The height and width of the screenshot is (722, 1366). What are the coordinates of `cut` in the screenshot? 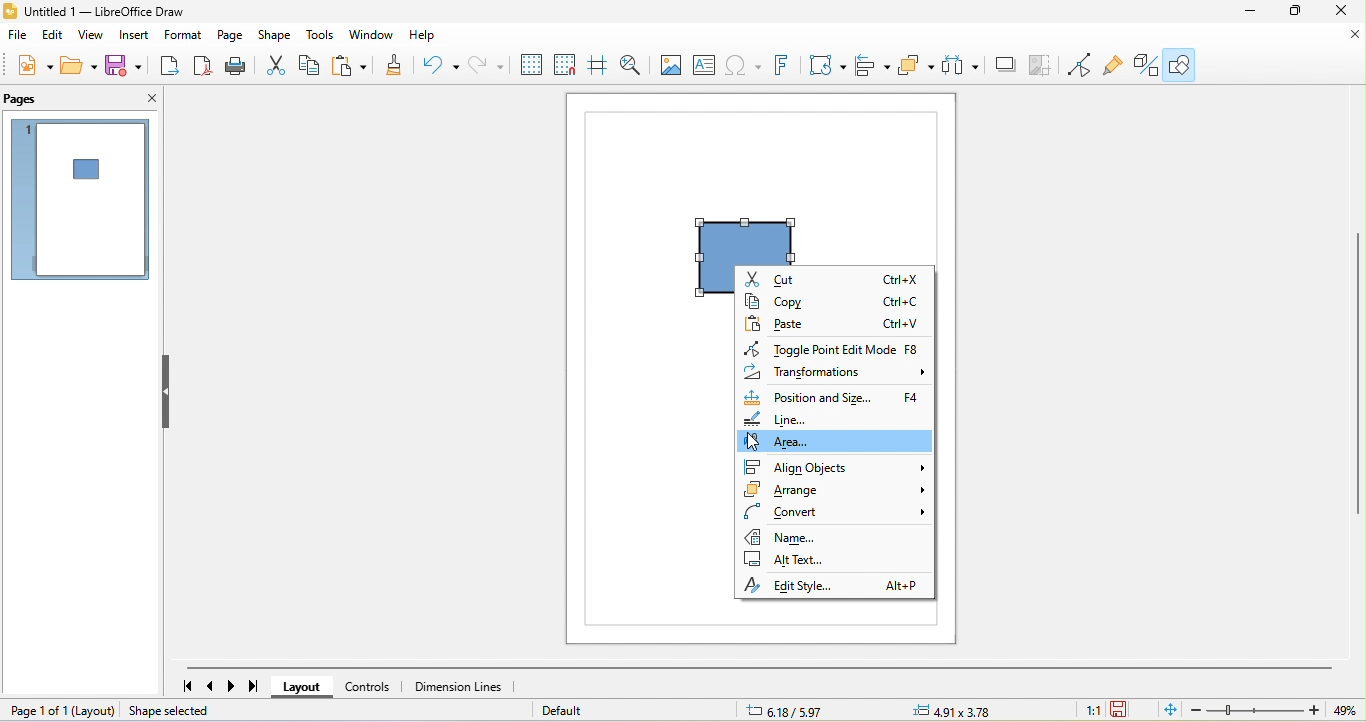 It's located at (275, 68).